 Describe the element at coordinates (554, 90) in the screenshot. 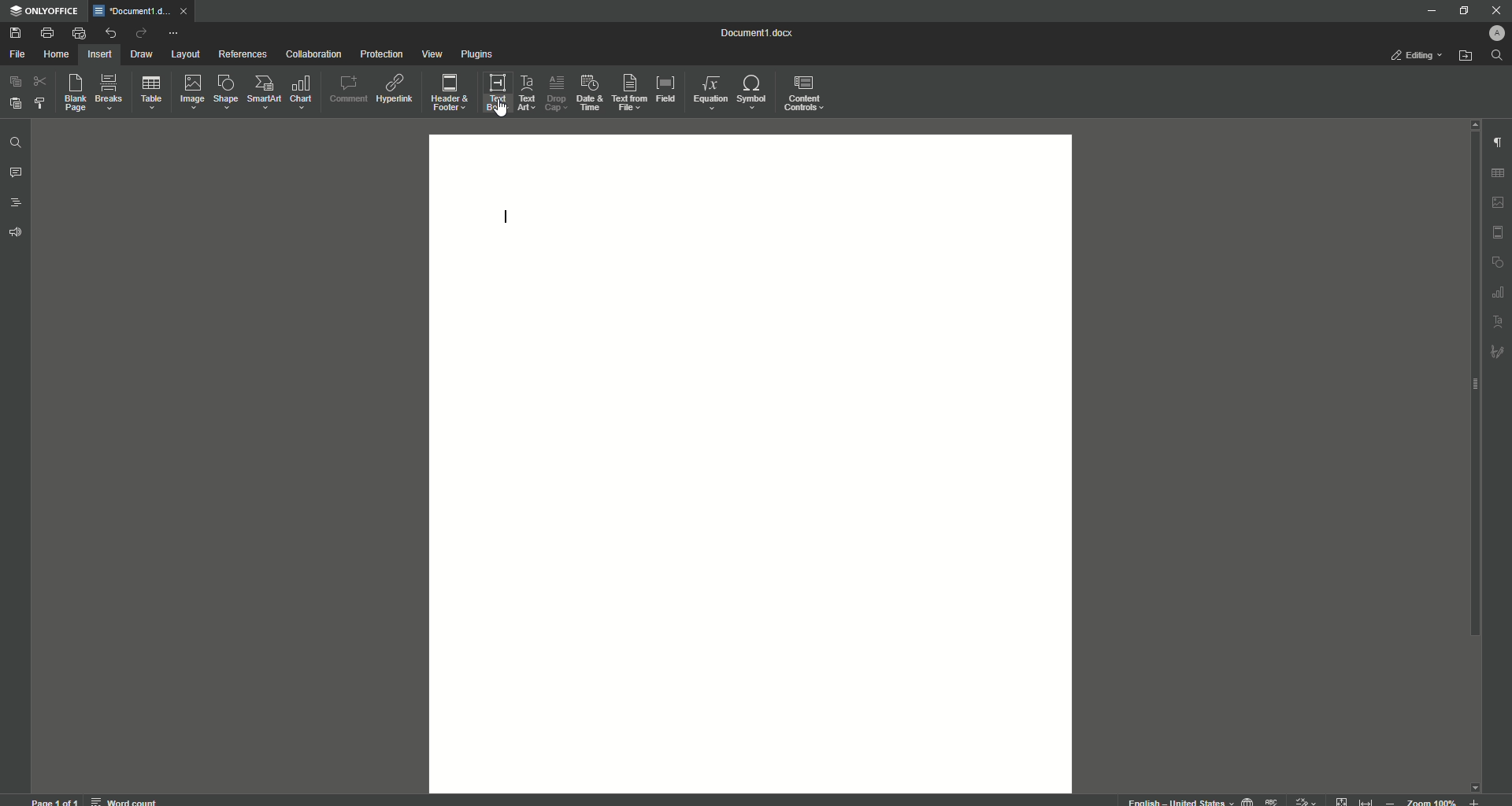

I see `Drop Cap` at that location.